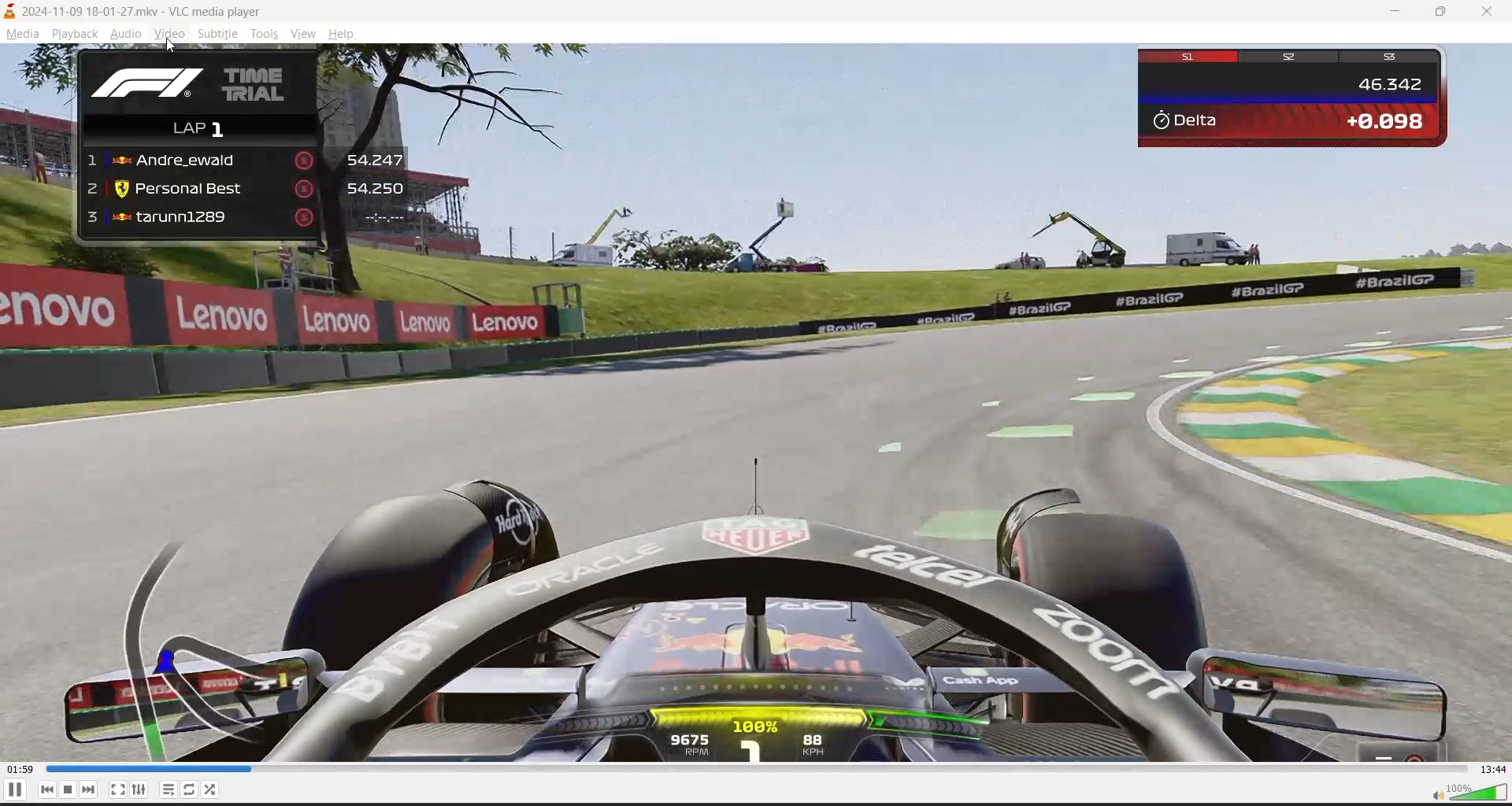  Describe the element at coordinates (190, 789) in the screenshot. I see `toggle loop` at that location.